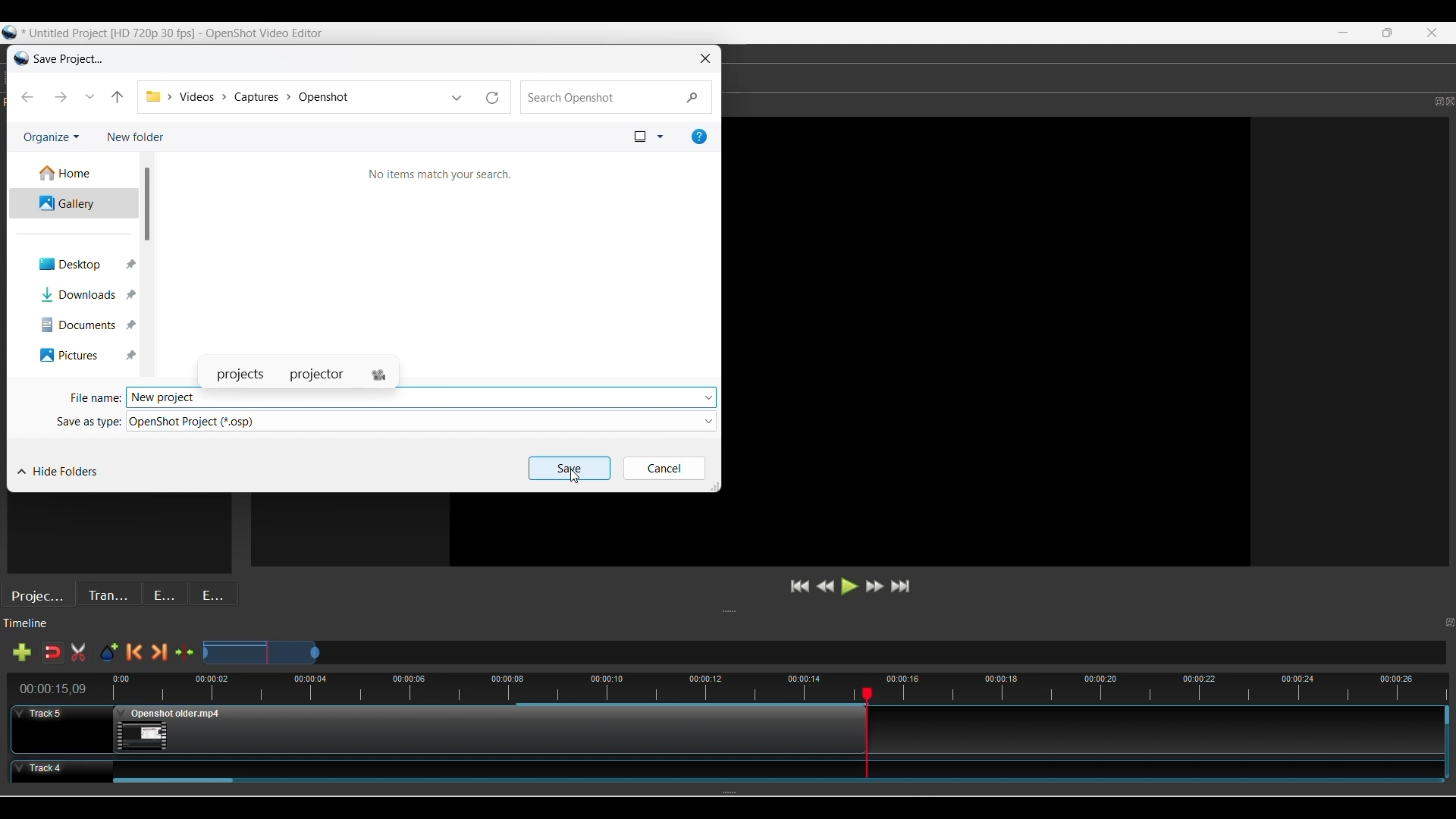 Image resolution: width=1456 pixels, height=819 pixels. I want to click on Horizontal slide bar, so click(173, 781).